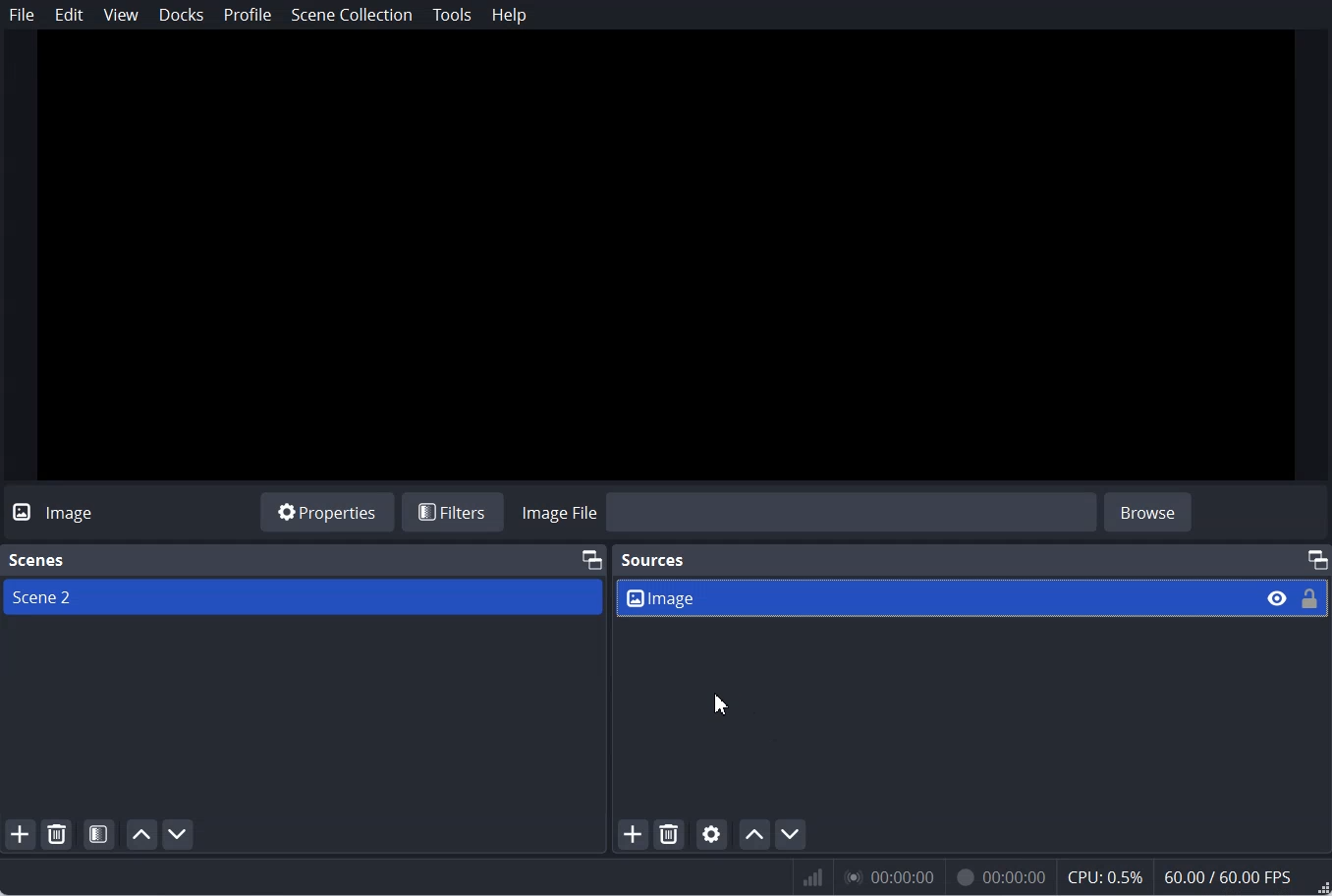 Image resolution: width=1332 pixels, height=896 pixels. I want to click on Numeric results, so click(1061, 876).